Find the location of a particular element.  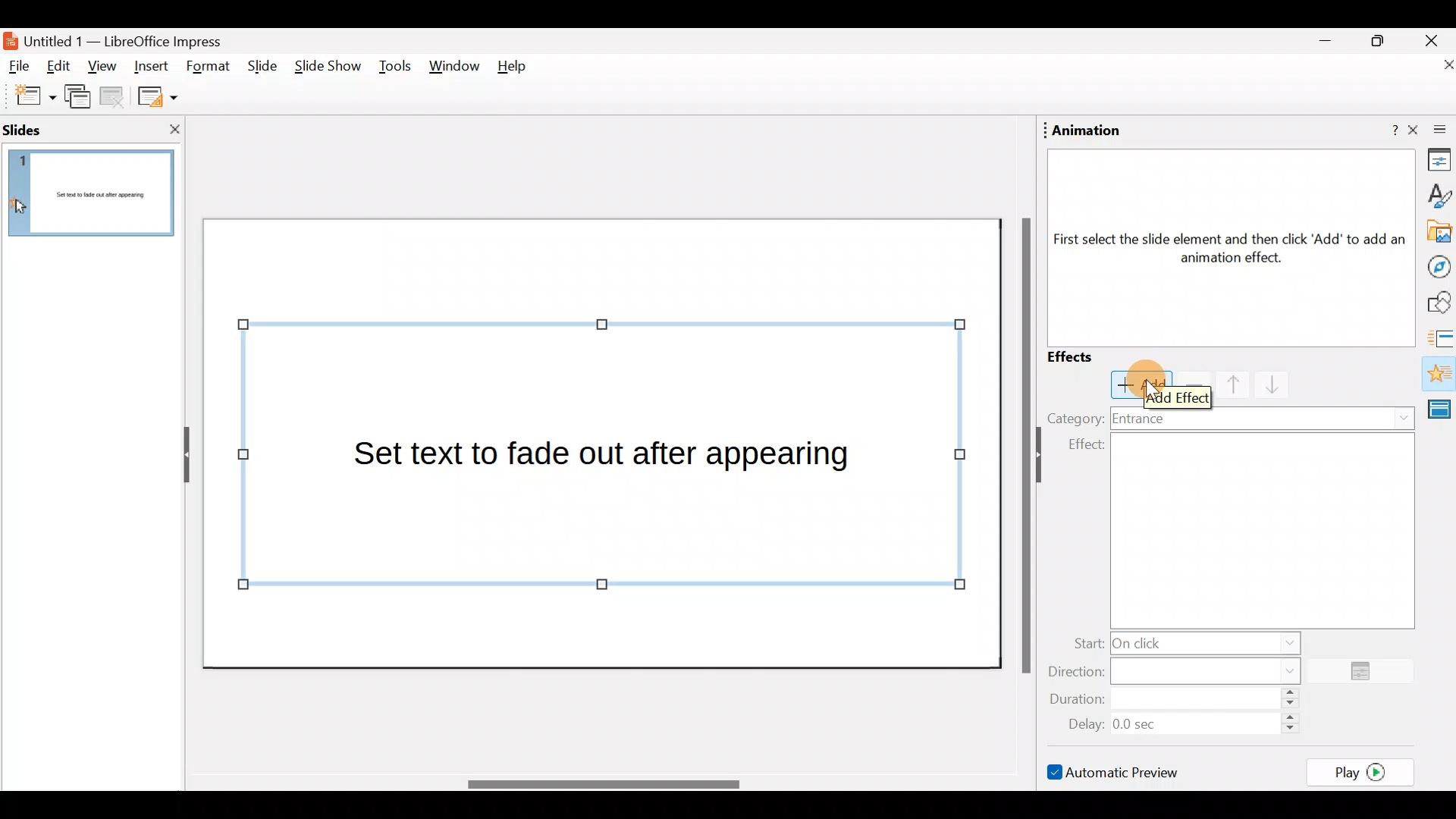

Close sidebar deck is located at coordinates (1433, 130).